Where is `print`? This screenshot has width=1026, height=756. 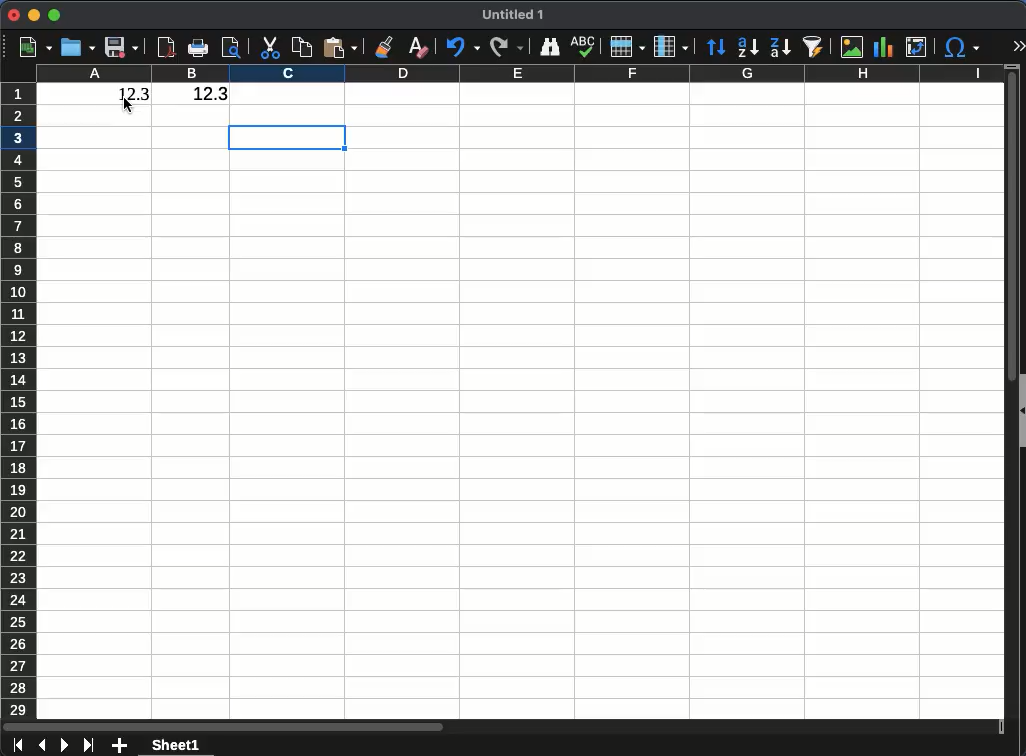
print is located at coordinates (199, 48).